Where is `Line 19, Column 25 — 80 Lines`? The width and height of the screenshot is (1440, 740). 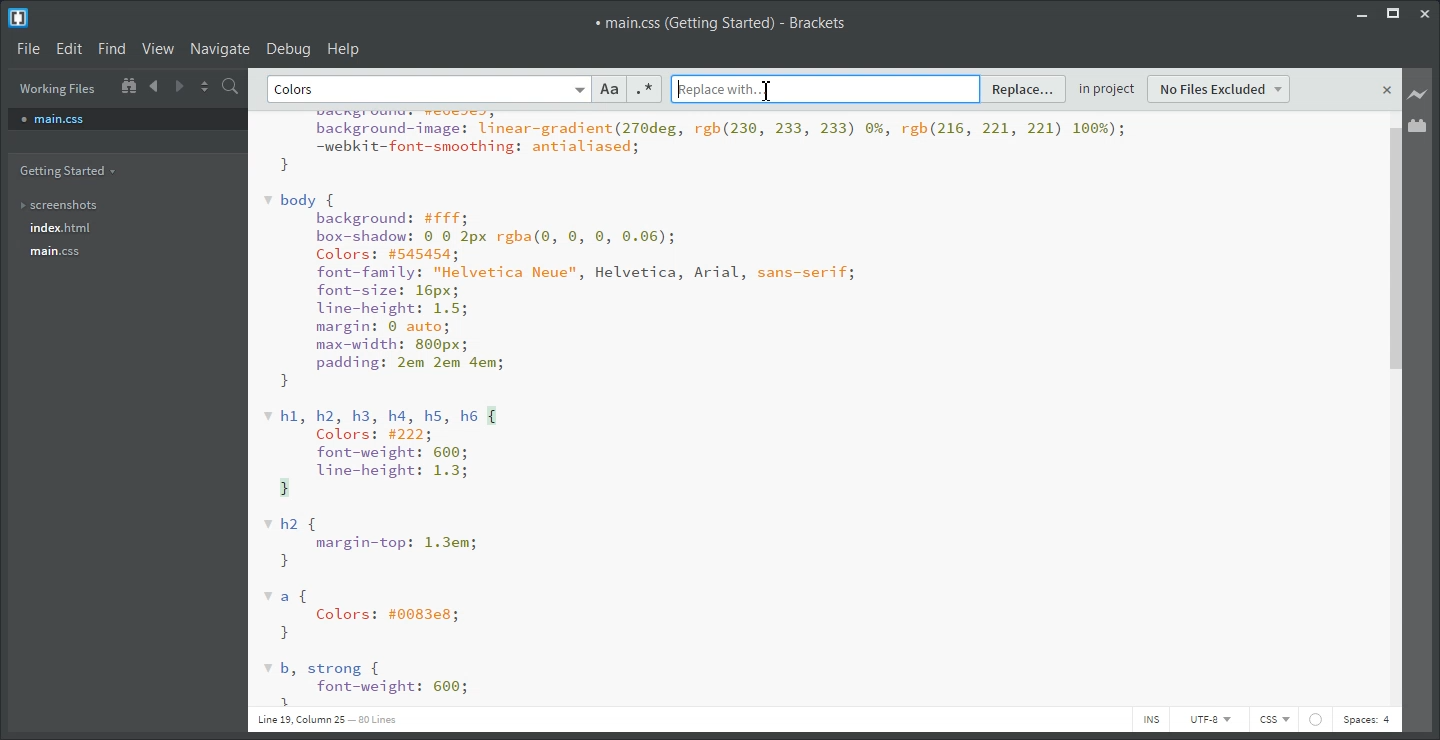
Line 19, Column 25 — 80 Lines is located at coordinates (326, 719).